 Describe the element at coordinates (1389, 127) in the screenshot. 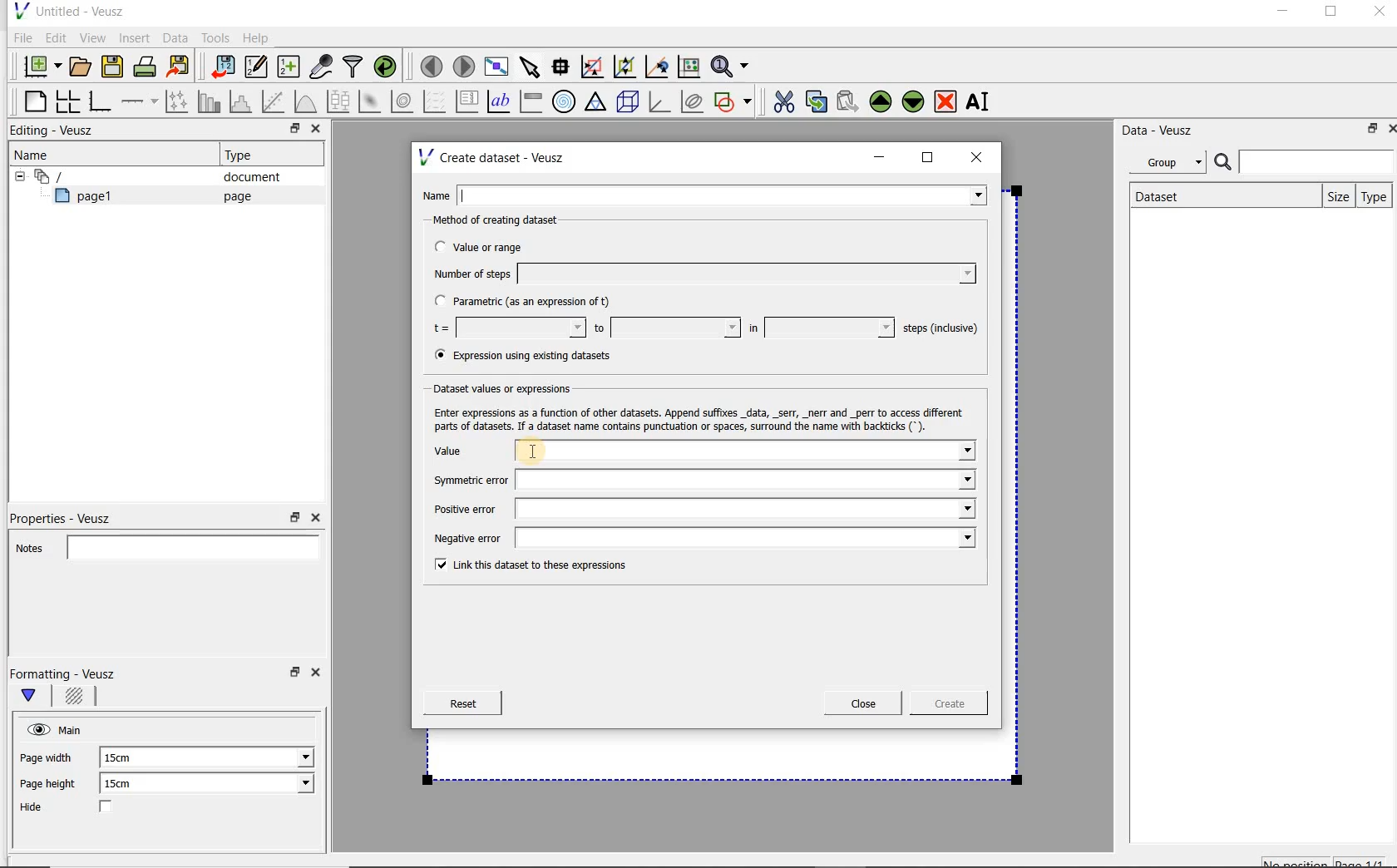

I see `Close` at that location.